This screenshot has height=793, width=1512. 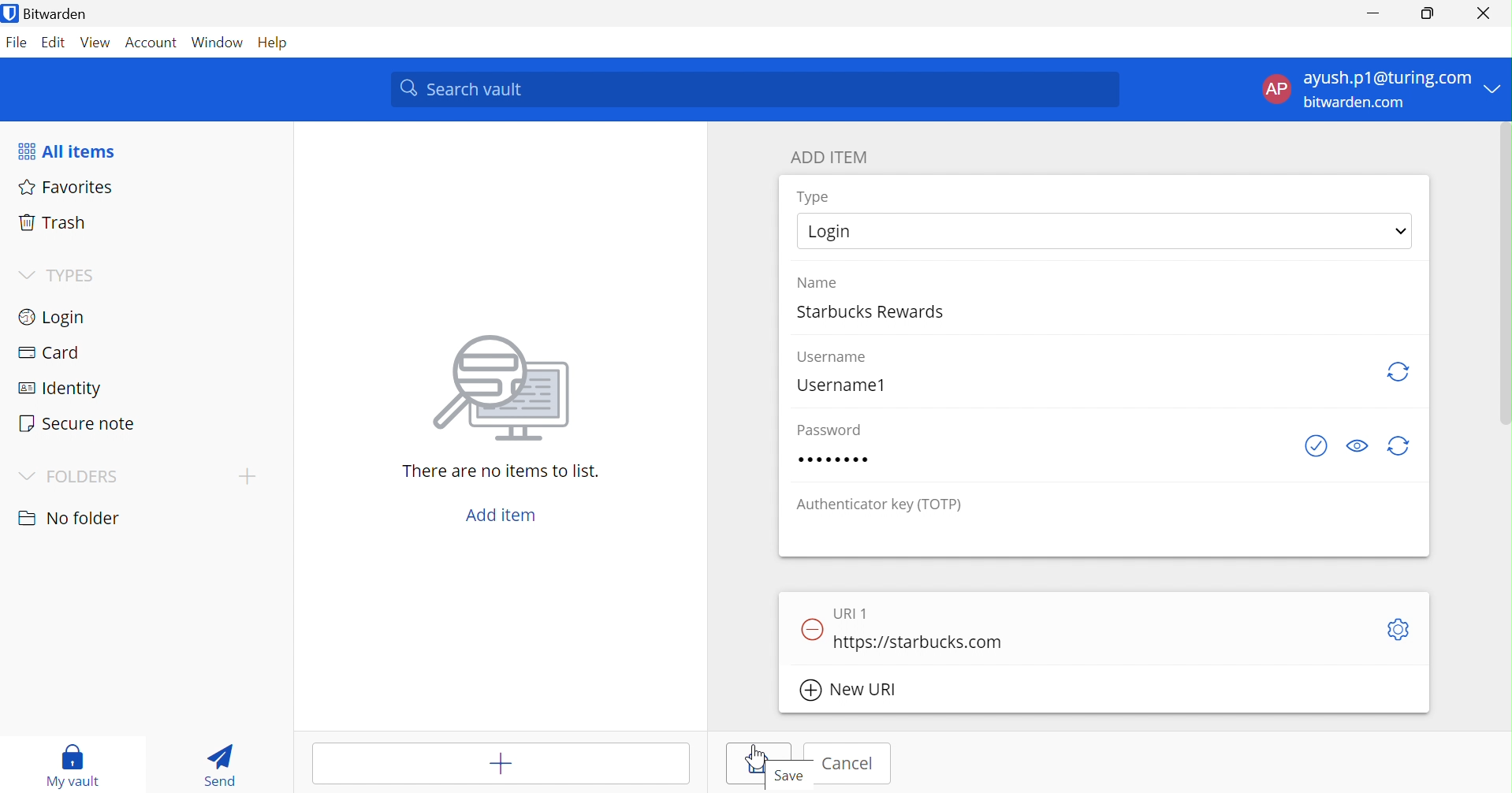 What do you see at coordinates (220, 43) in the screenshot?
I see `Window` at bounding box center [220, 43].